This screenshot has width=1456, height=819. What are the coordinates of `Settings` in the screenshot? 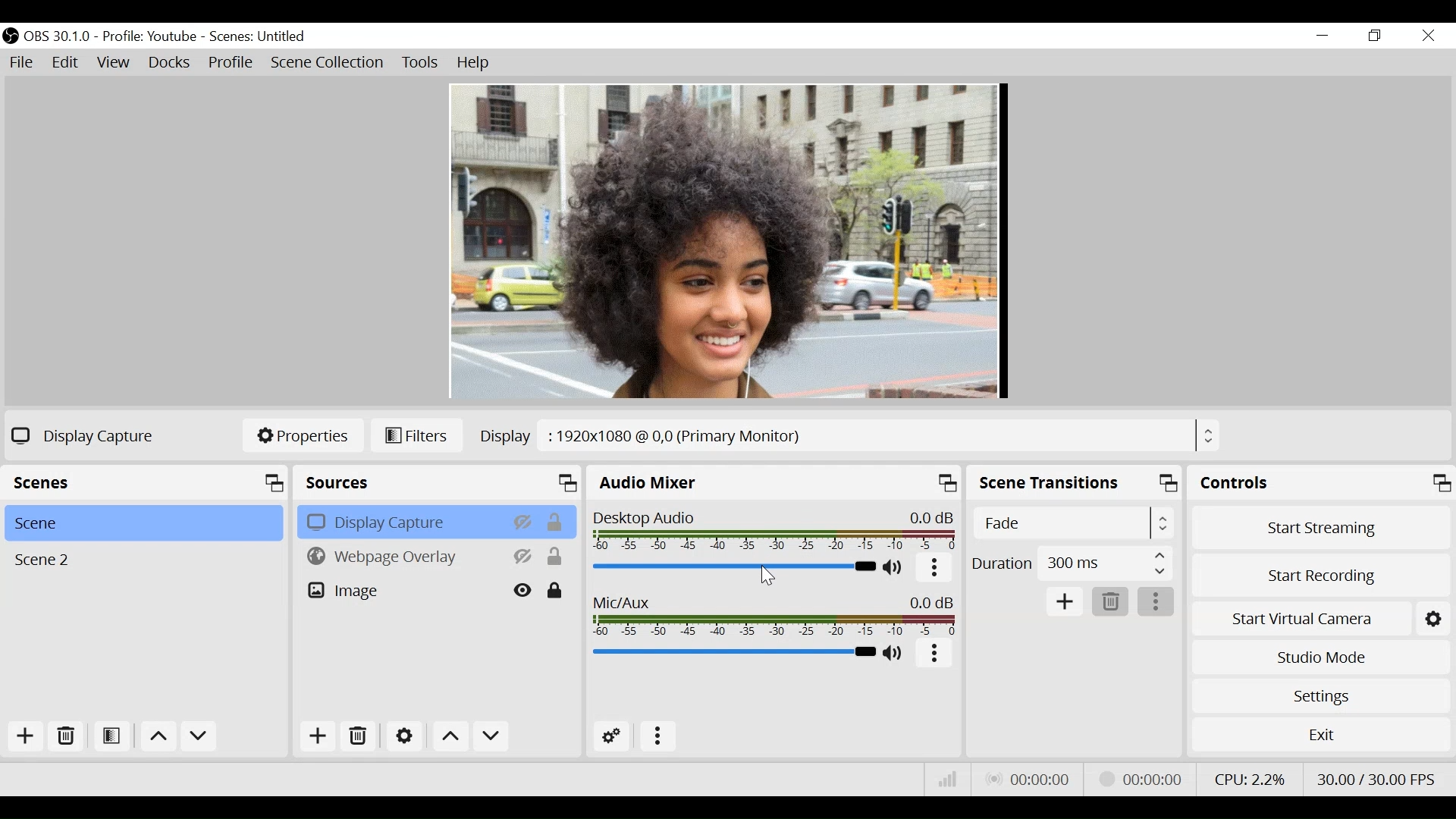 It's located at (403, 736).